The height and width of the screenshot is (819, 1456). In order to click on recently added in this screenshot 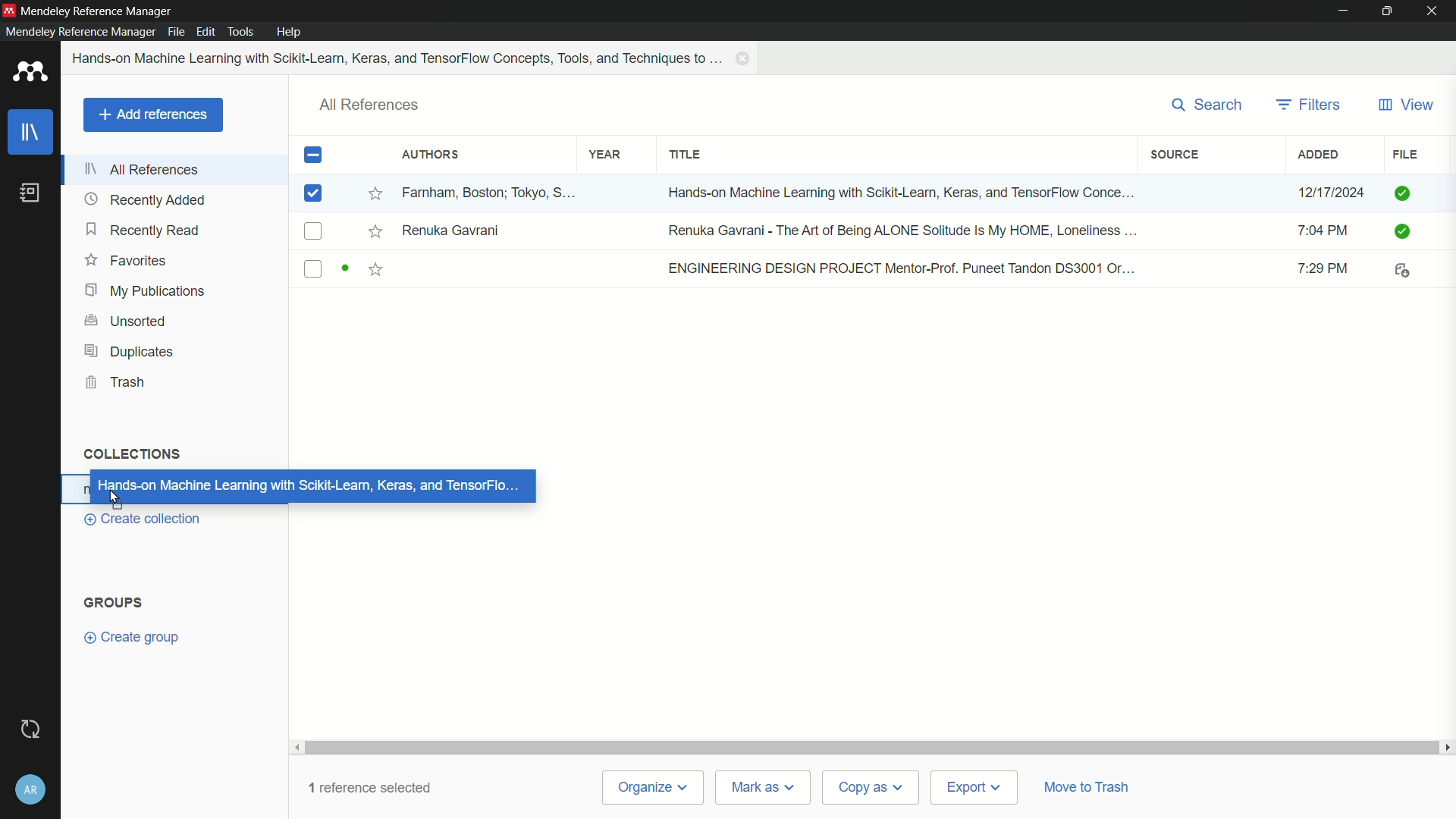, I will do `click(145, 199)`.